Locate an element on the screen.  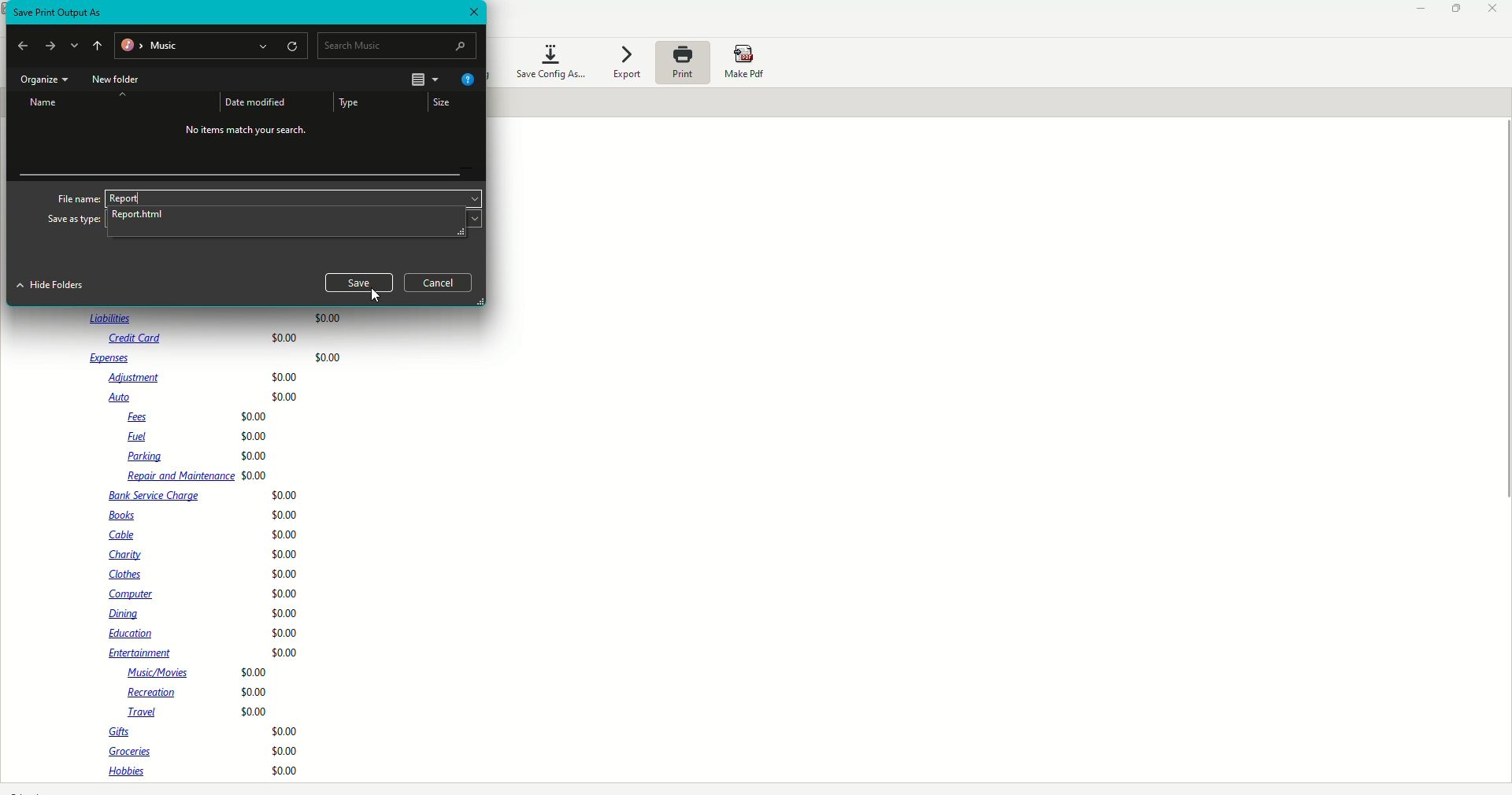
Navigation is located at coordinates (60, 47).